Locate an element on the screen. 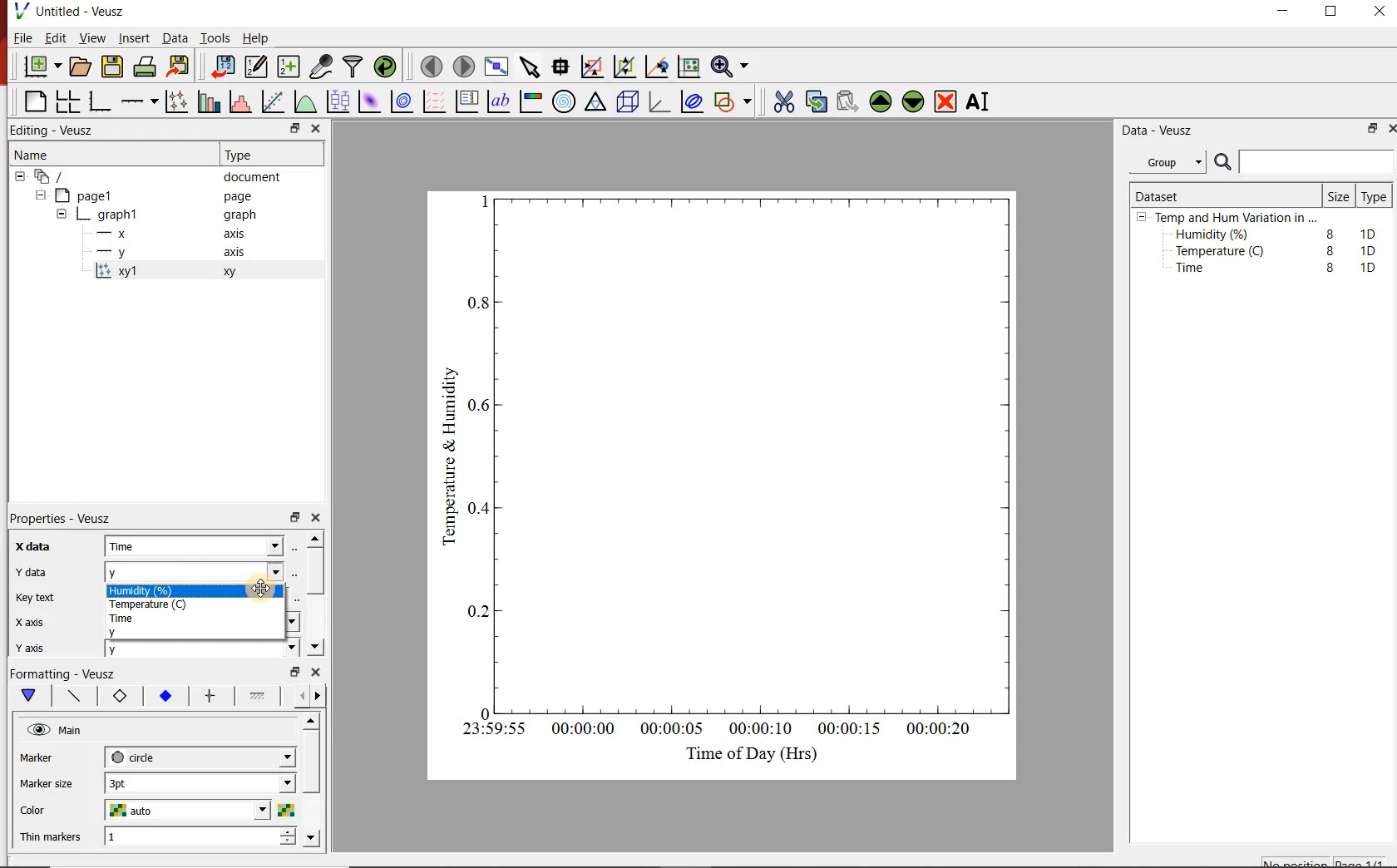 This screenshot has width=1397, height=868. edit text is located at coordinates (292, 599).